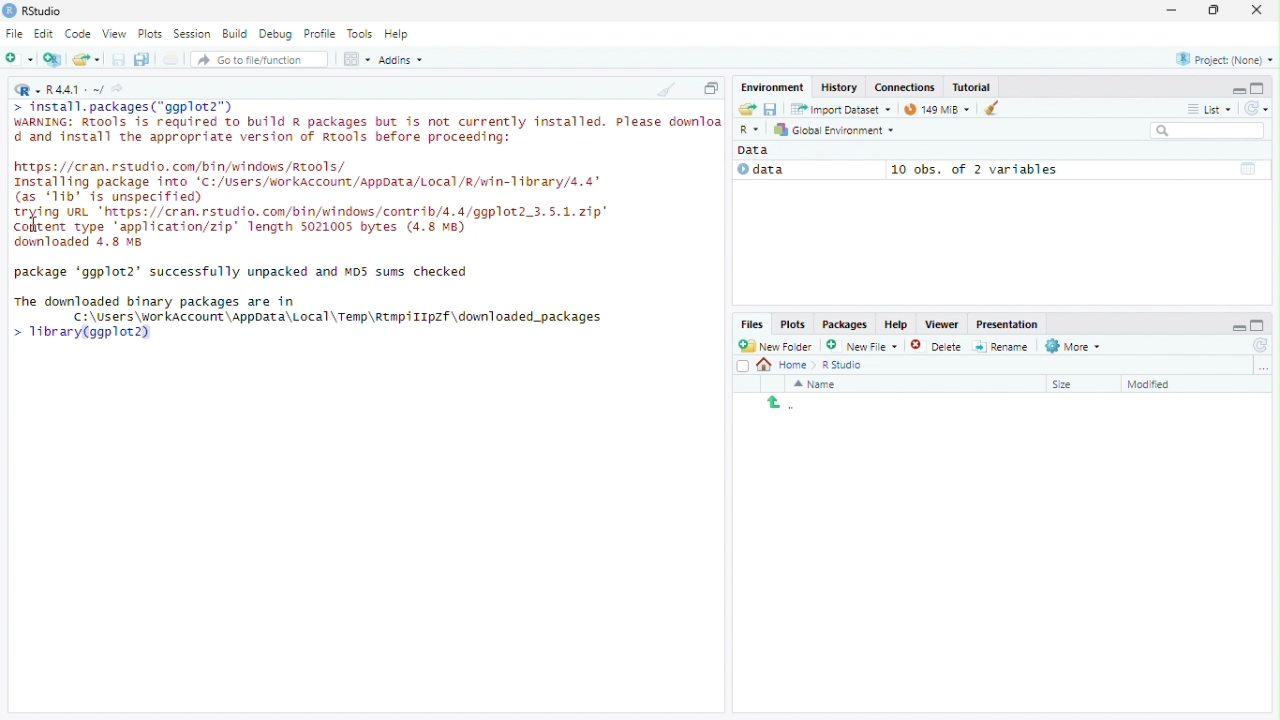 The width and height of the screenshot is (1280, 720). What do you see at coordinates (937, 345) in the screenshot?
I see `Delete` at bounding box center [937, 345].